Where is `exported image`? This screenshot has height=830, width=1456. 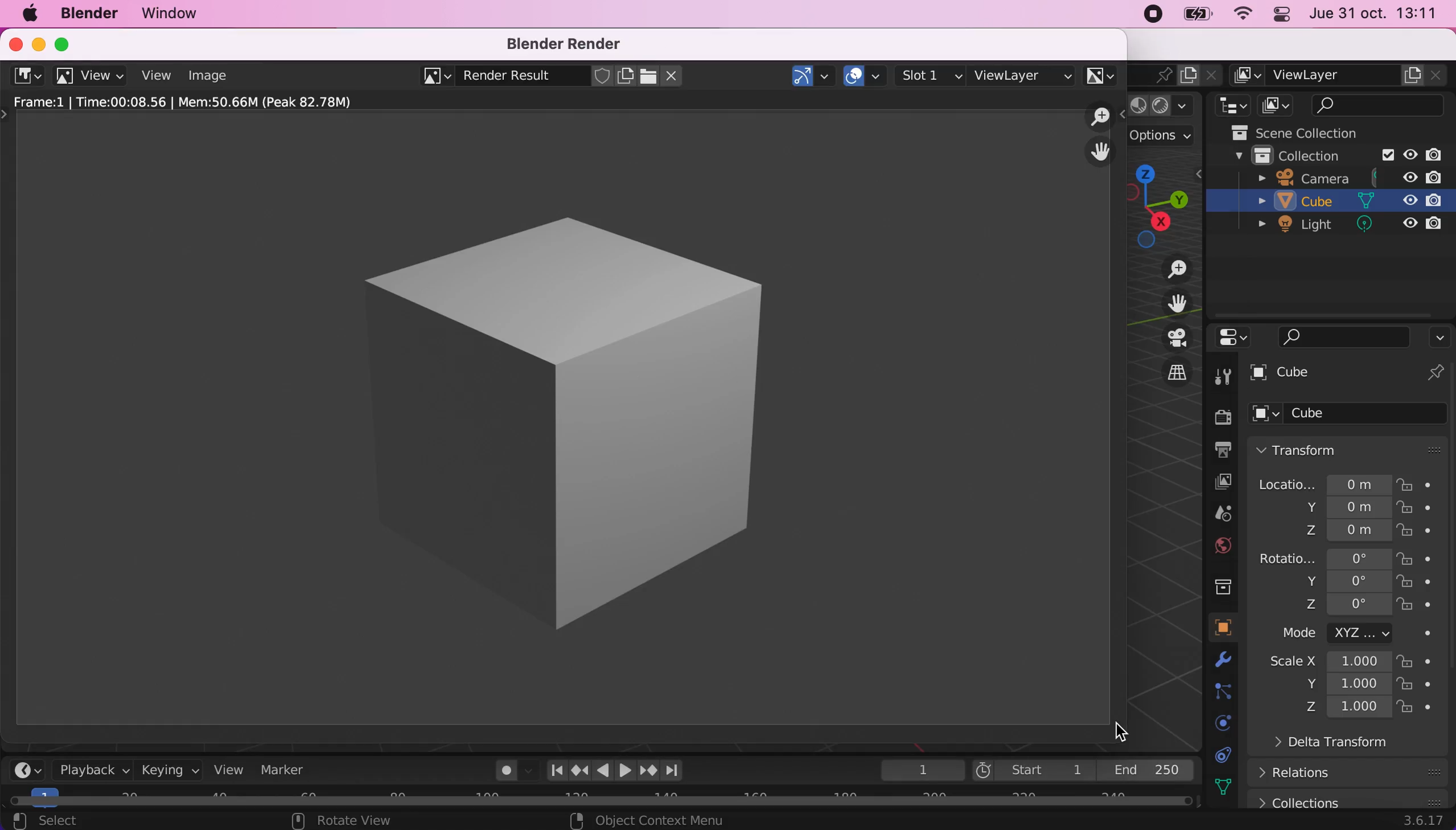
exported image is located at coordinates (548, 416).